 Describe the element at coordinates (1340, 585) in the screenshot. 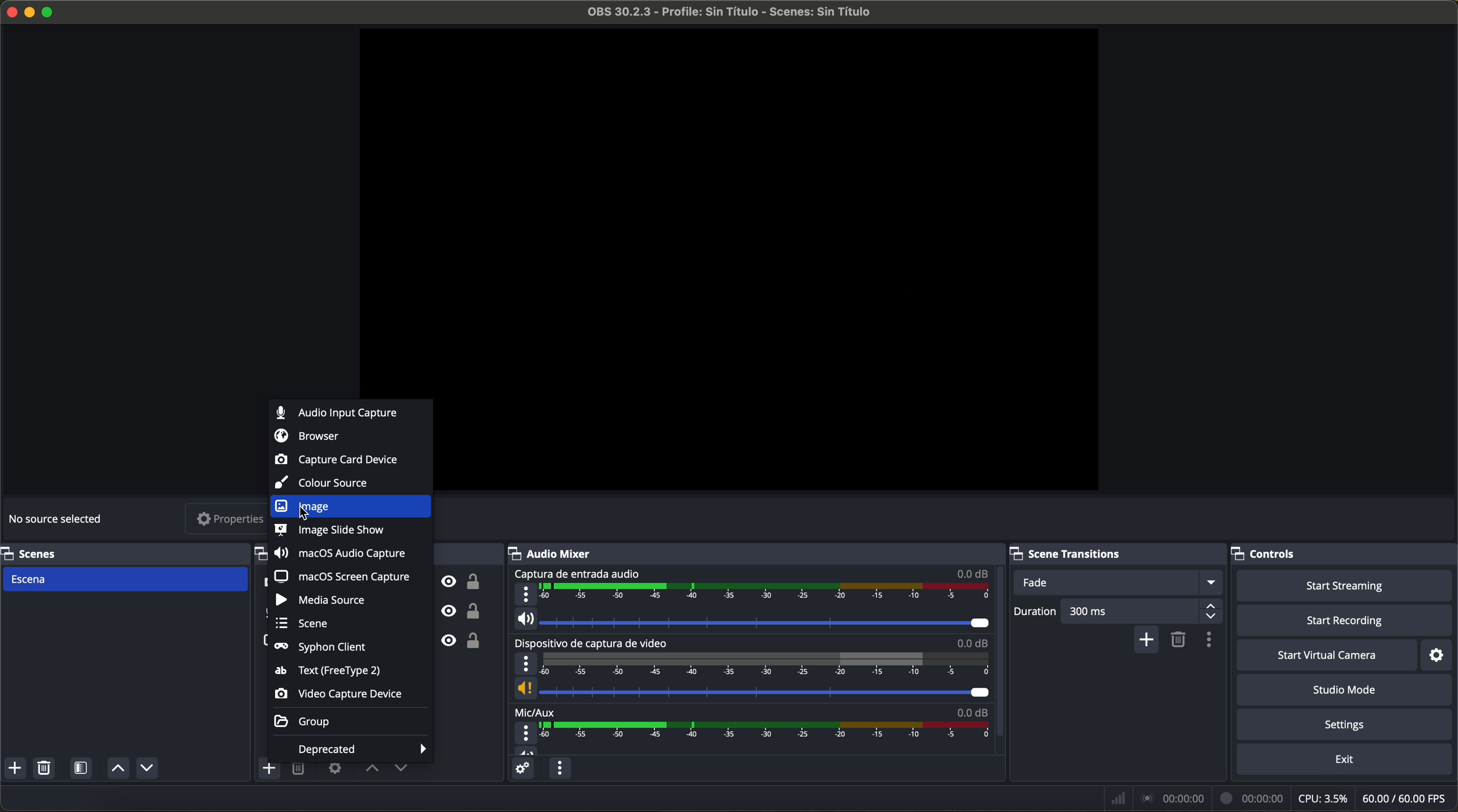

I see `start streaming` at that location.